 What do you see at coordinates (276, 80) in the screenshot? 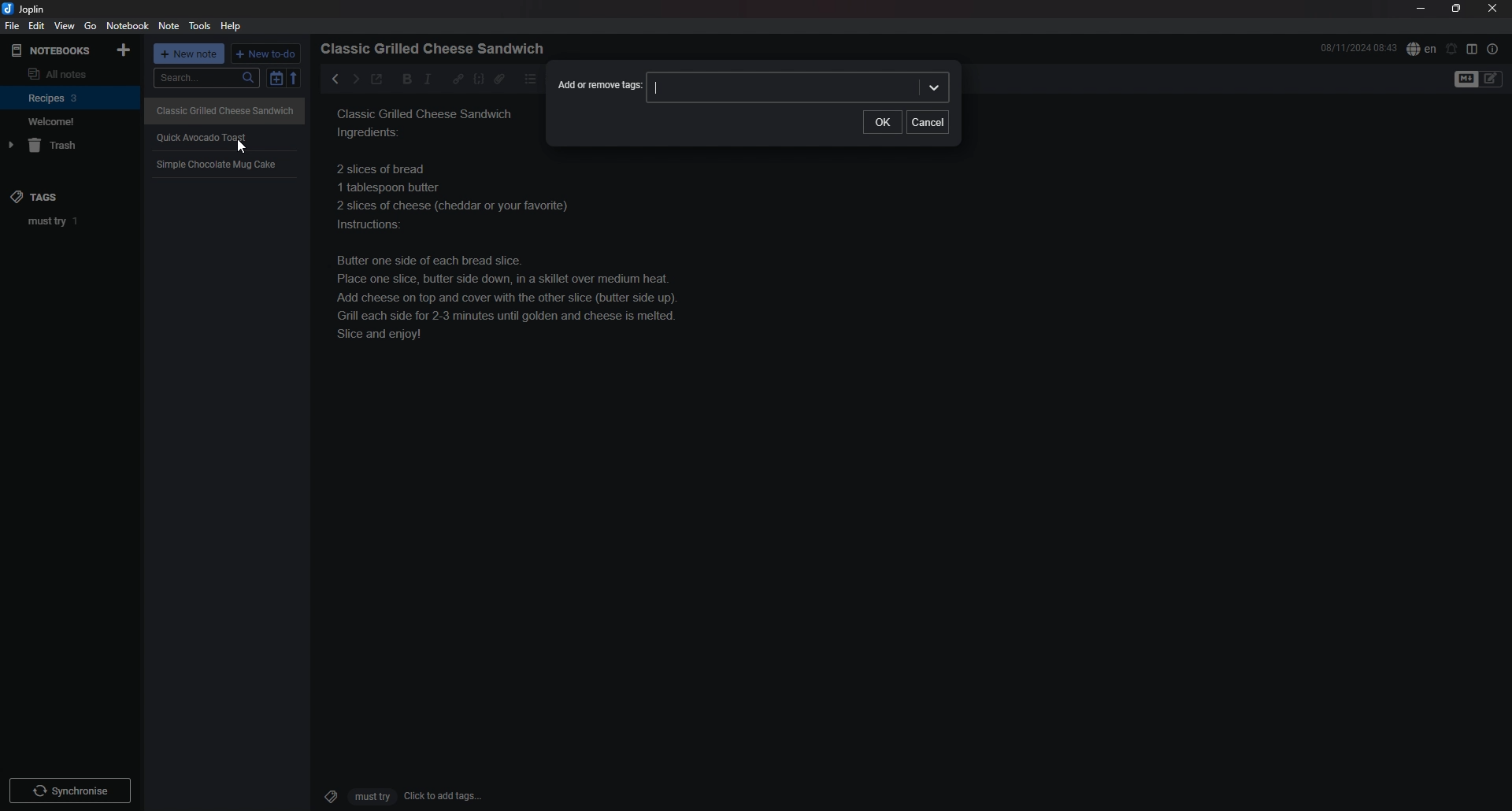
I see `toggle sort order` at bounding box center [276, 80].